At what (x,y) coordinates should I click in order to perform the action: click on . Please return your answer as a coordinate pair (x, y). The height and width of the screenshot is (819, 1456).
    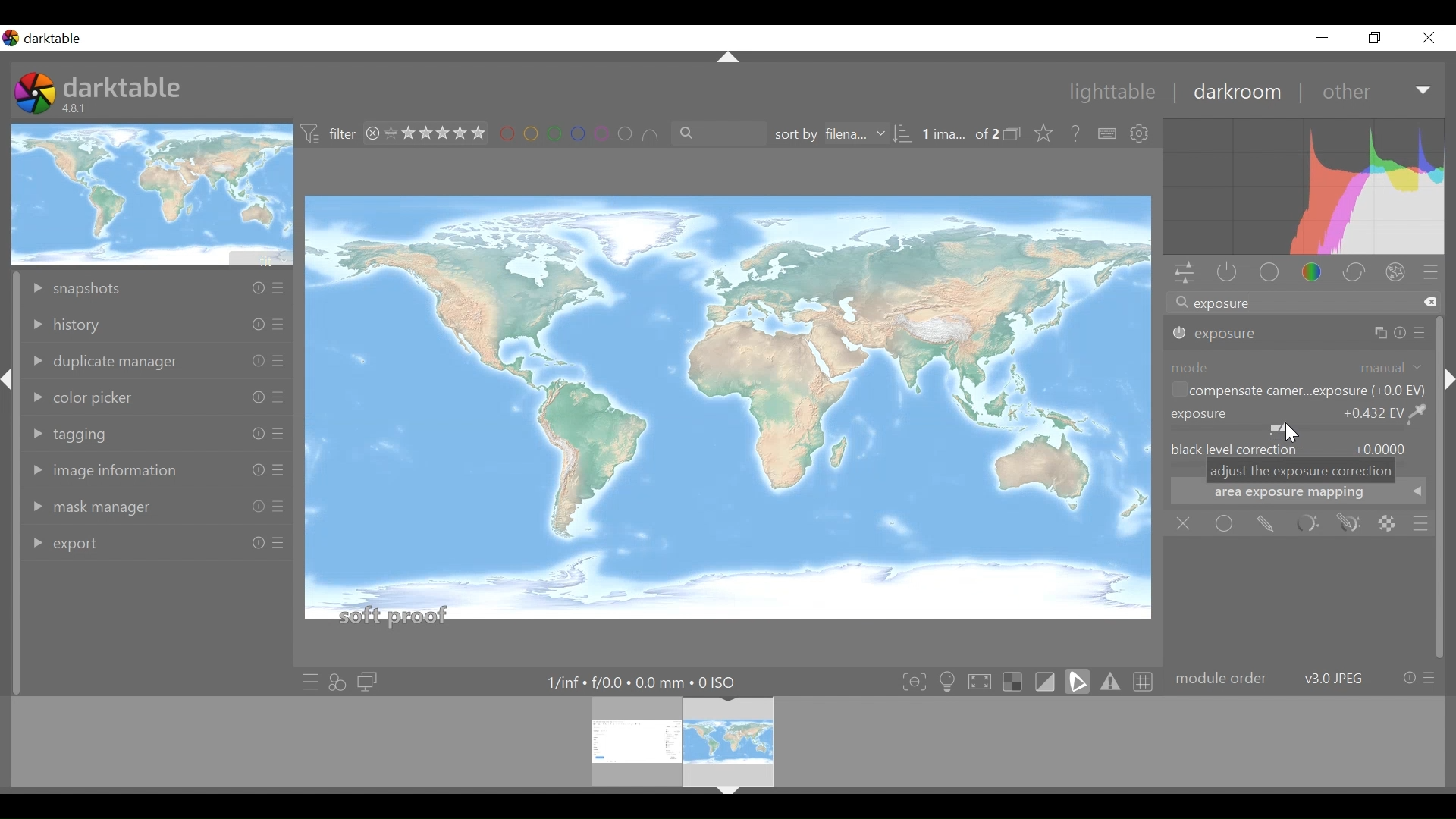
    Looking at the image, I should click on (276, 327).